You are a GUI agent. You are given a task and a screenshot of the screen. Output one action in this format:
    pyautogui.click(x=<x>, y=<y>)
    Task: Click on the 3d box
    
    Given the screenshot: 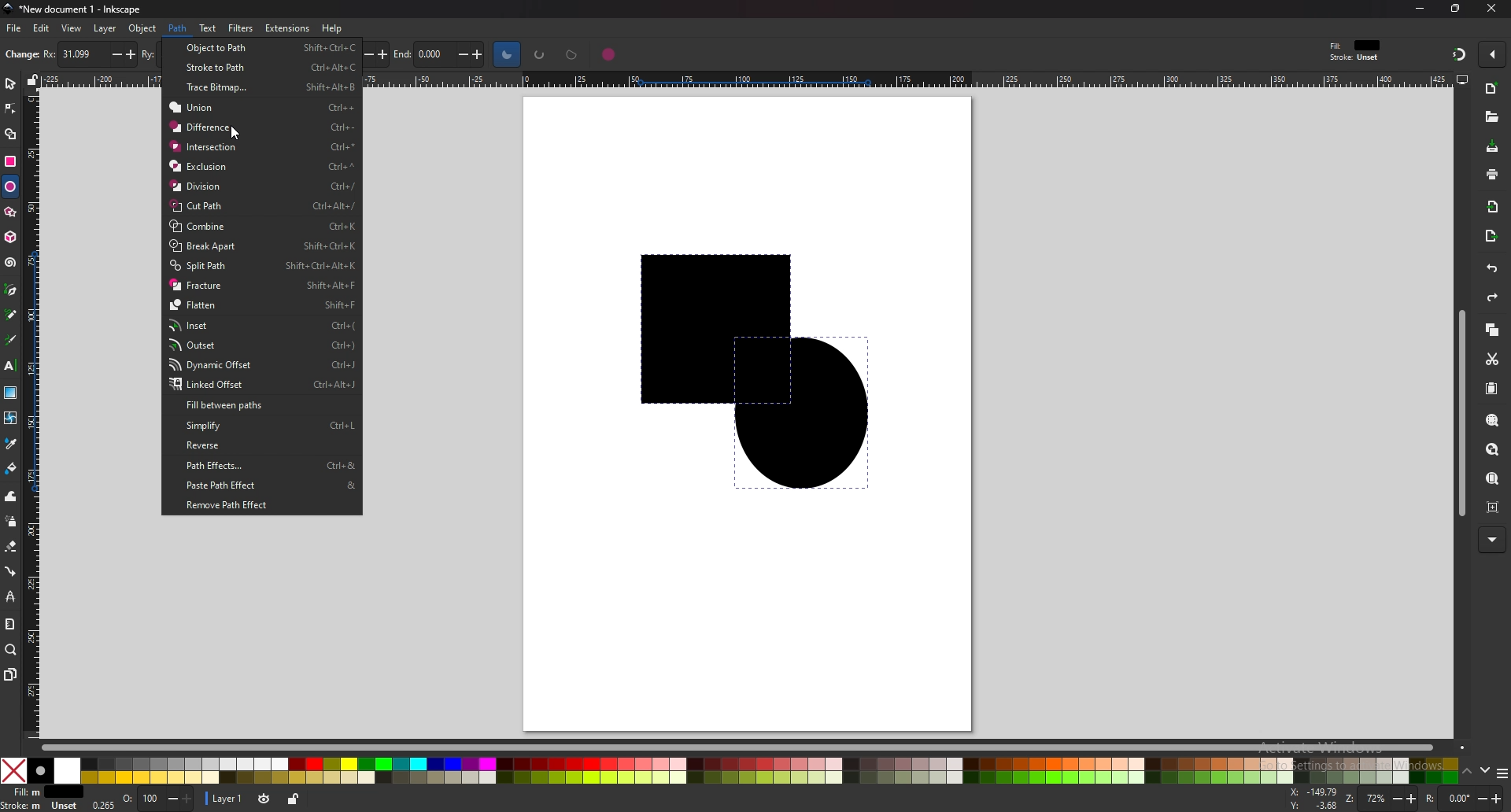 What is the action you would take?
    pyautogui.click(x=10, y=237)
    